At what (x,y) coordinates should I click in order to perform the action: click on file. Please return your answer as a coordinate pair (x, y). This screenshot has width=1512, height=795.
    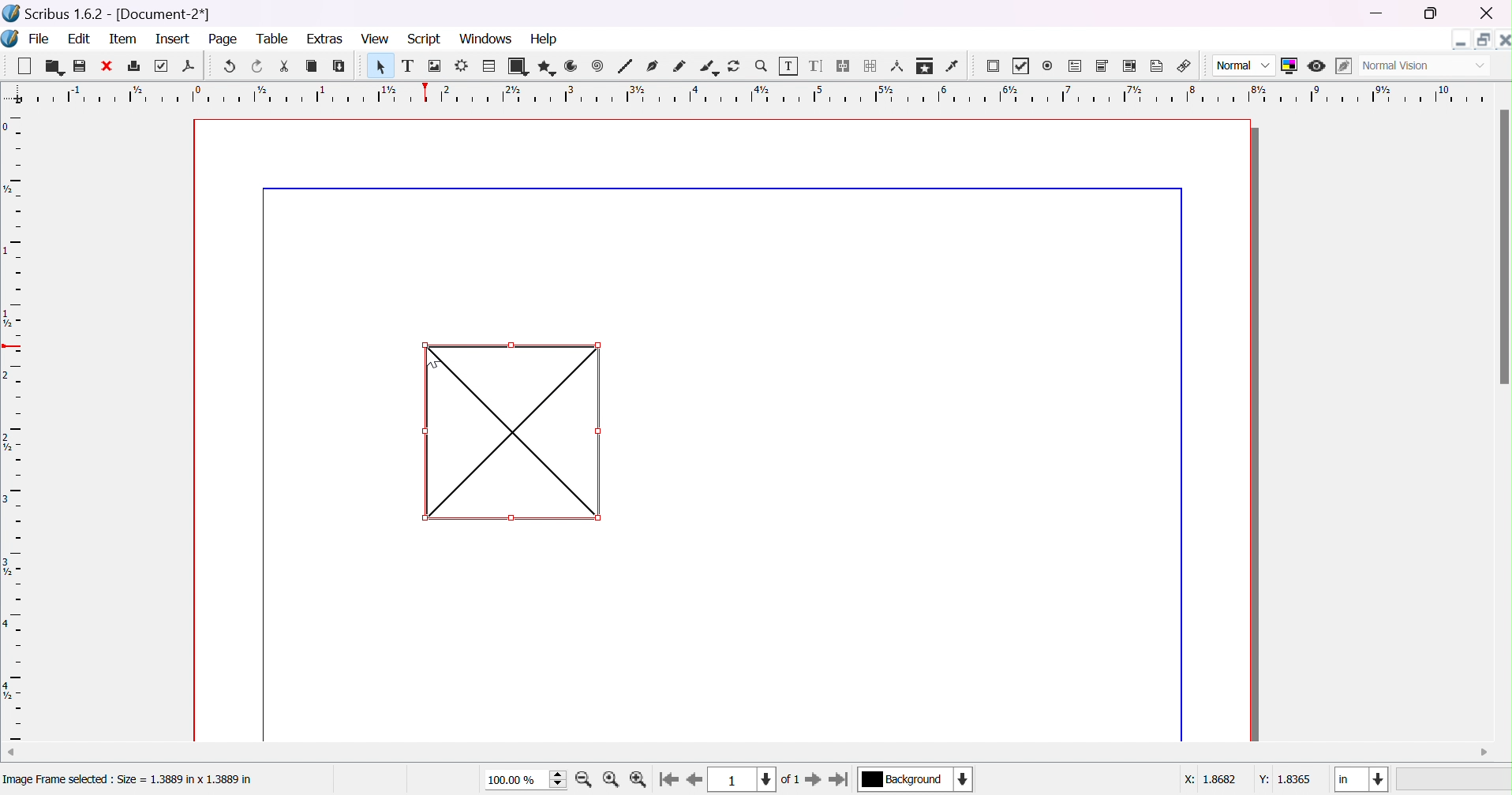
    Looking at the image, I should click on (39, 38).